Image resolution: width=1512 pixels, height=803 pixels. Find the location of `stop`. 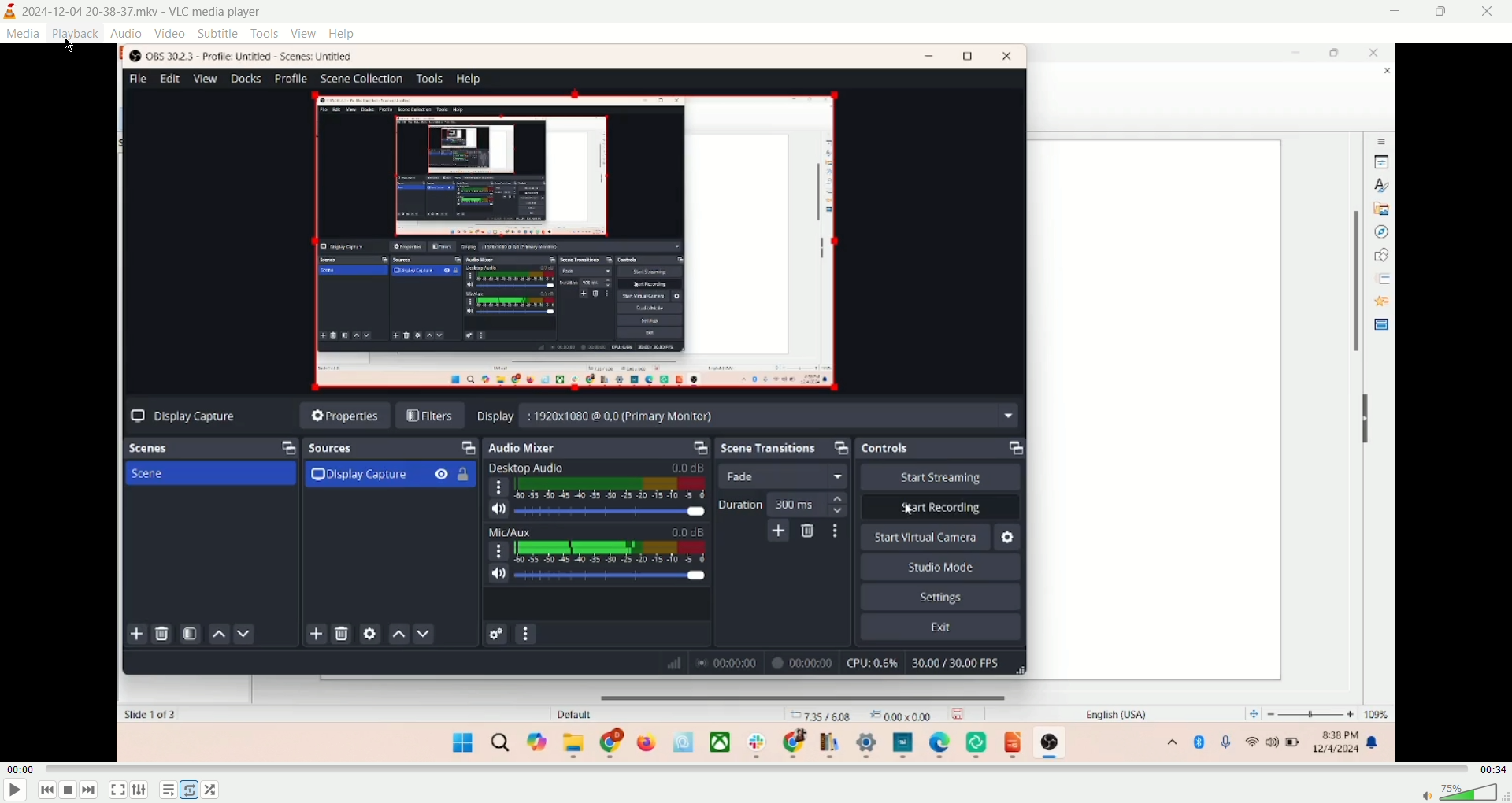

stop is located at coordinates (70, 790).